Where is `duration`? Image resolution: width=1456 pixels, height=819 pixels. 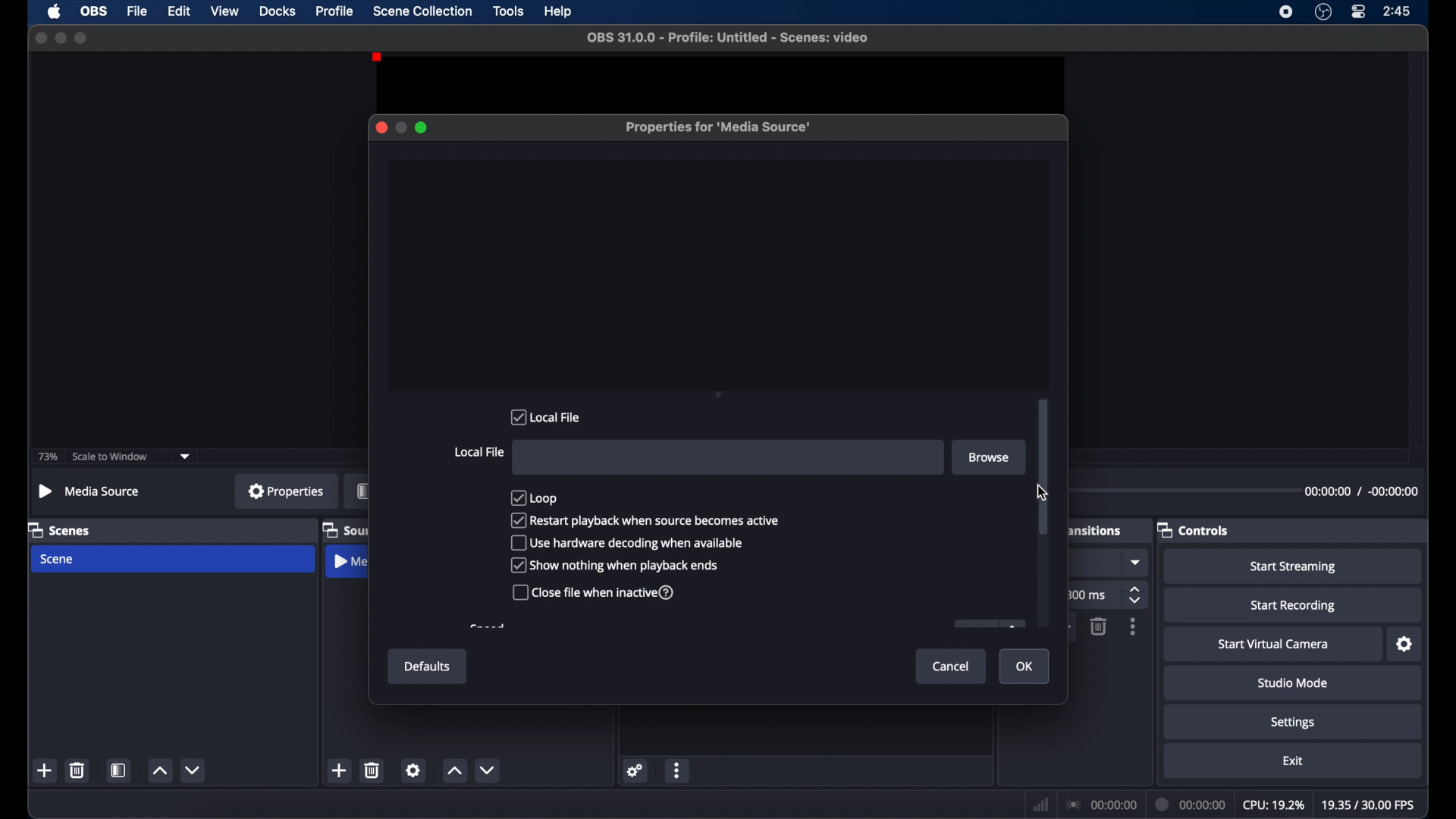 duration is located at coordinates (1361, 491).